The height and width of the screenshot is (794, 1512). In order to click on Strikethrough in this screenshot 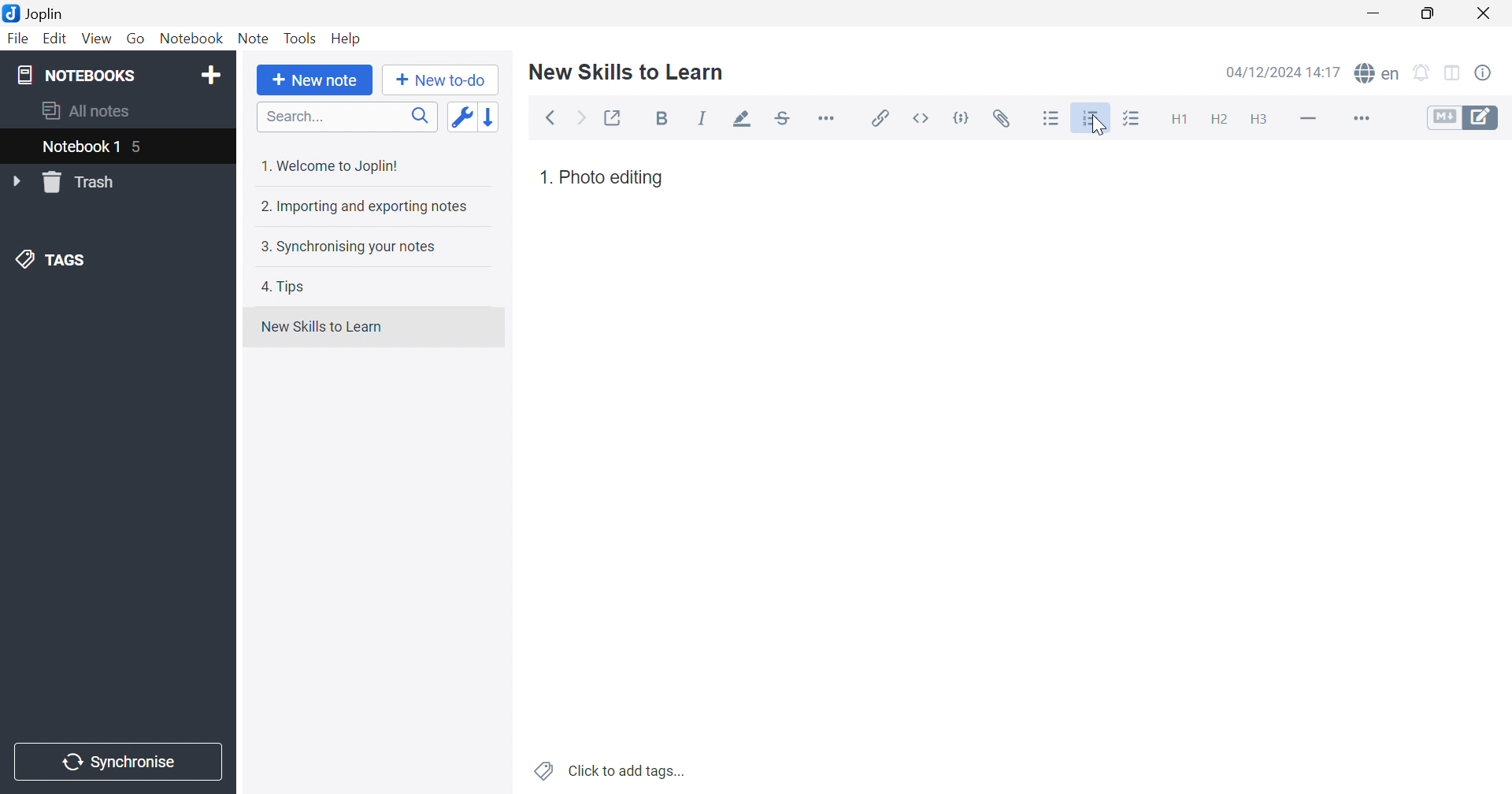, I will do `click(784, 119)`.